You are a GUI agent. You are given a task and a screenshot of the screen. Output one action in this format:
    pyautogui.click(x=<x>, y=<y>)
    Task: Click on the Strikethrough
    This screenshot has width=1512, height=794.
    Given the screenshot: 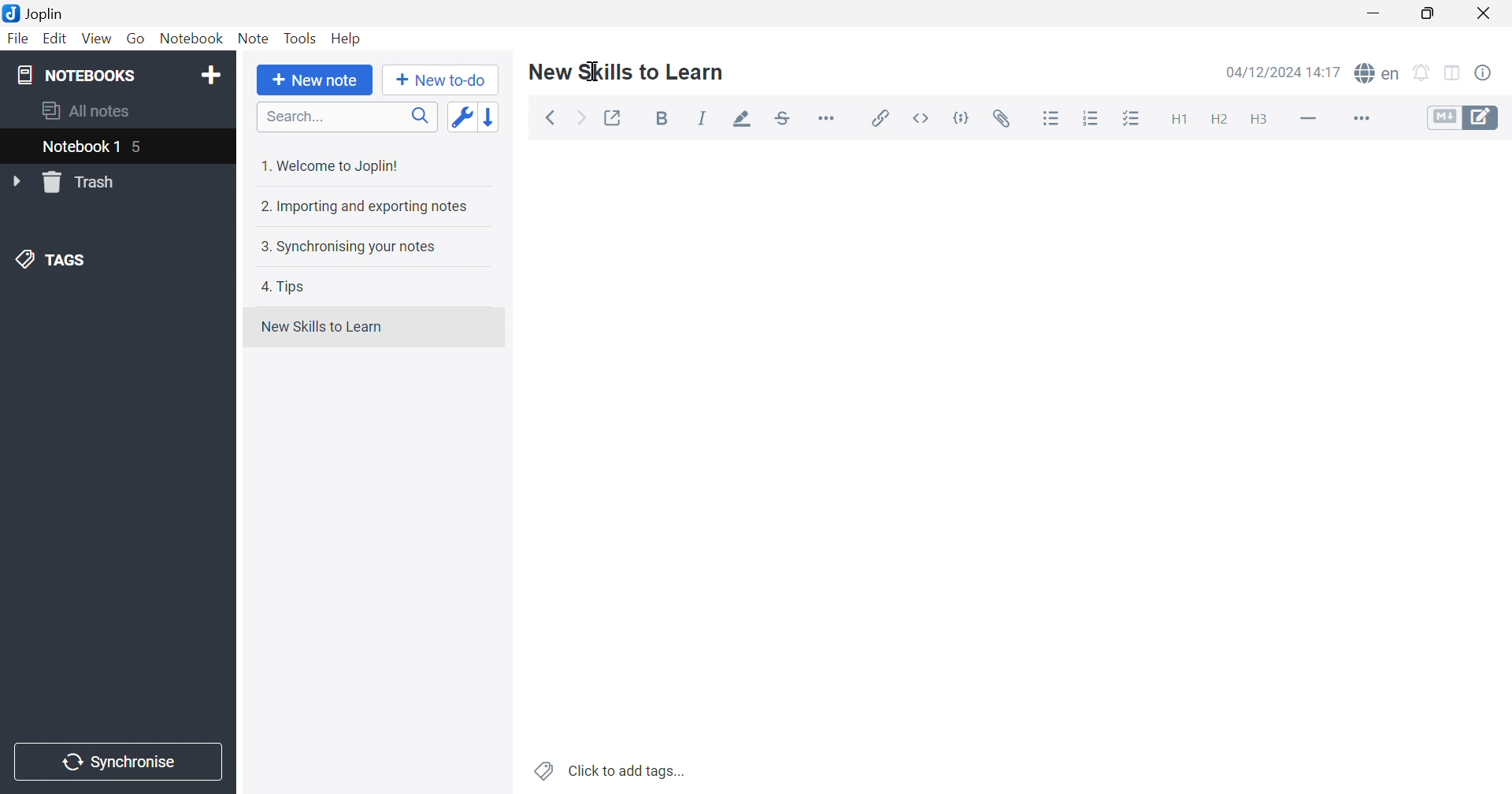 What is the action you would take?
    pyautogui.click(x=784, y=119)
    